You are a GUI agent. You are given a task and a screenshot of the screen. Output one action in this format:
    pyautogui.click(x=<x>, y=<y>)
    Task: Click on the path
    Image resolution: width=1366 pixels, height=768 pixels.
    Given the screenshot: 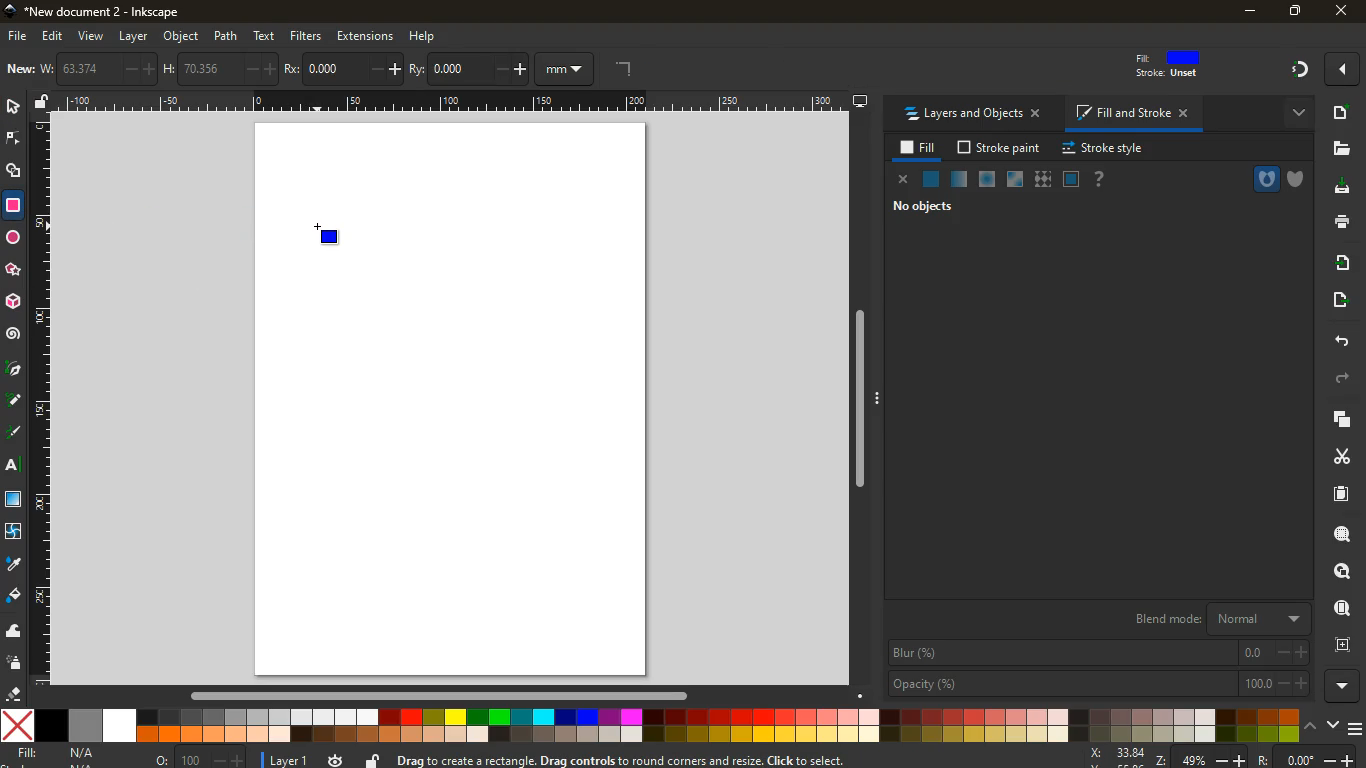 What is the action you would take?
    pyautogui.click(x=225, y=36)
    